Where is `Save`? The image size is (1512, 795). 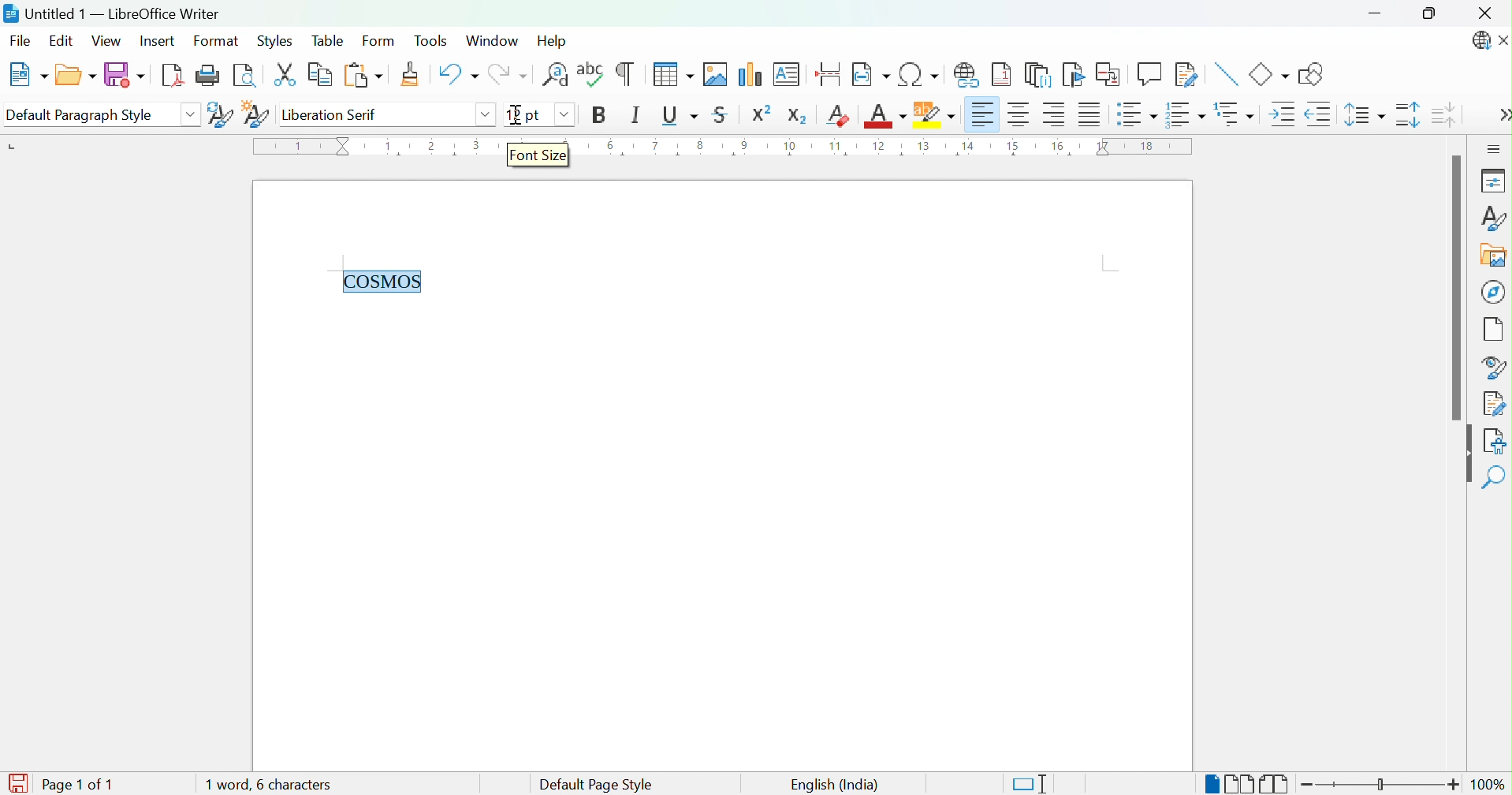
Save is located at coordinates (20, 776).